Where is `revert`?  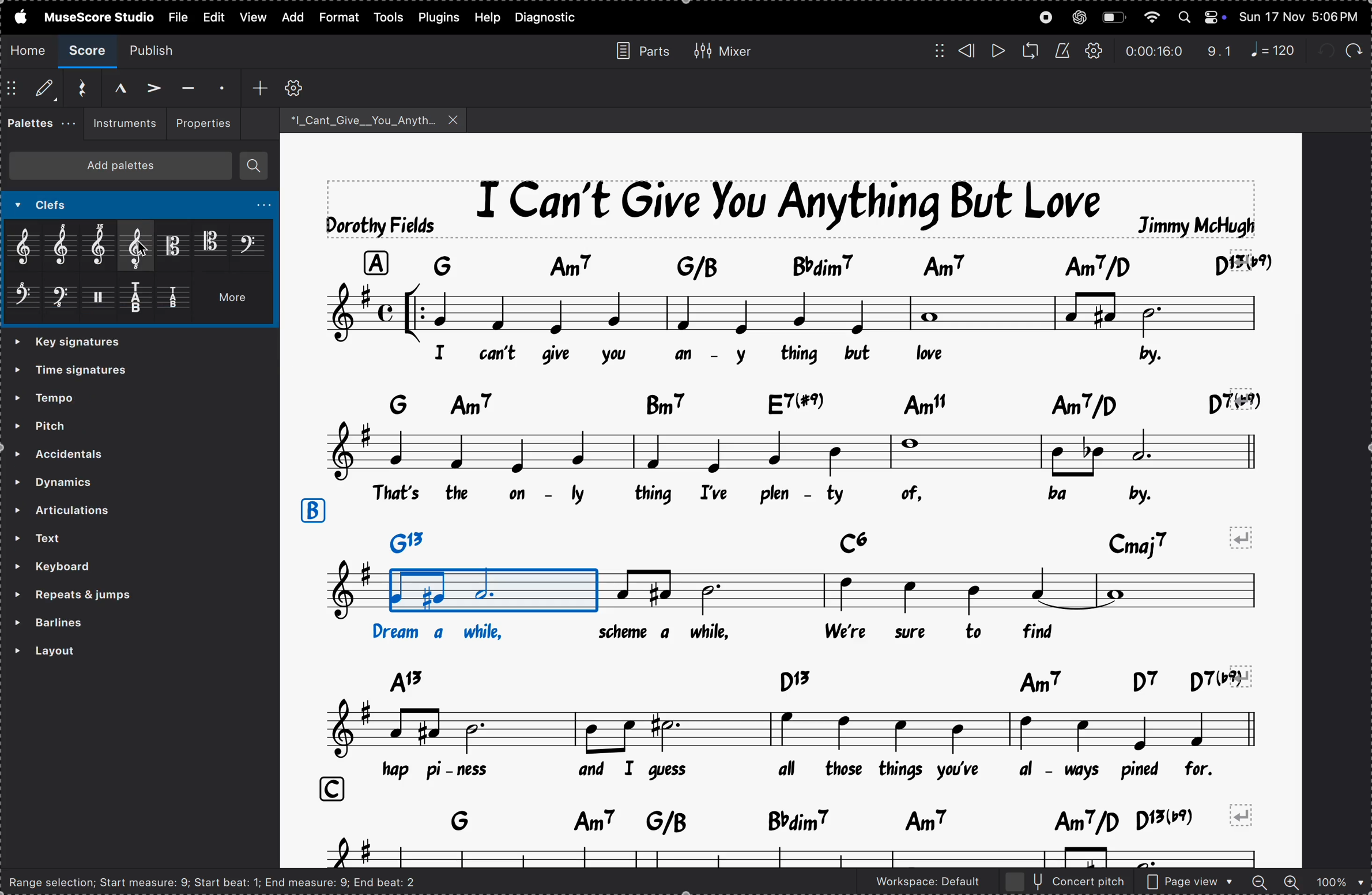 revert is located at coordinates (1245, 814).